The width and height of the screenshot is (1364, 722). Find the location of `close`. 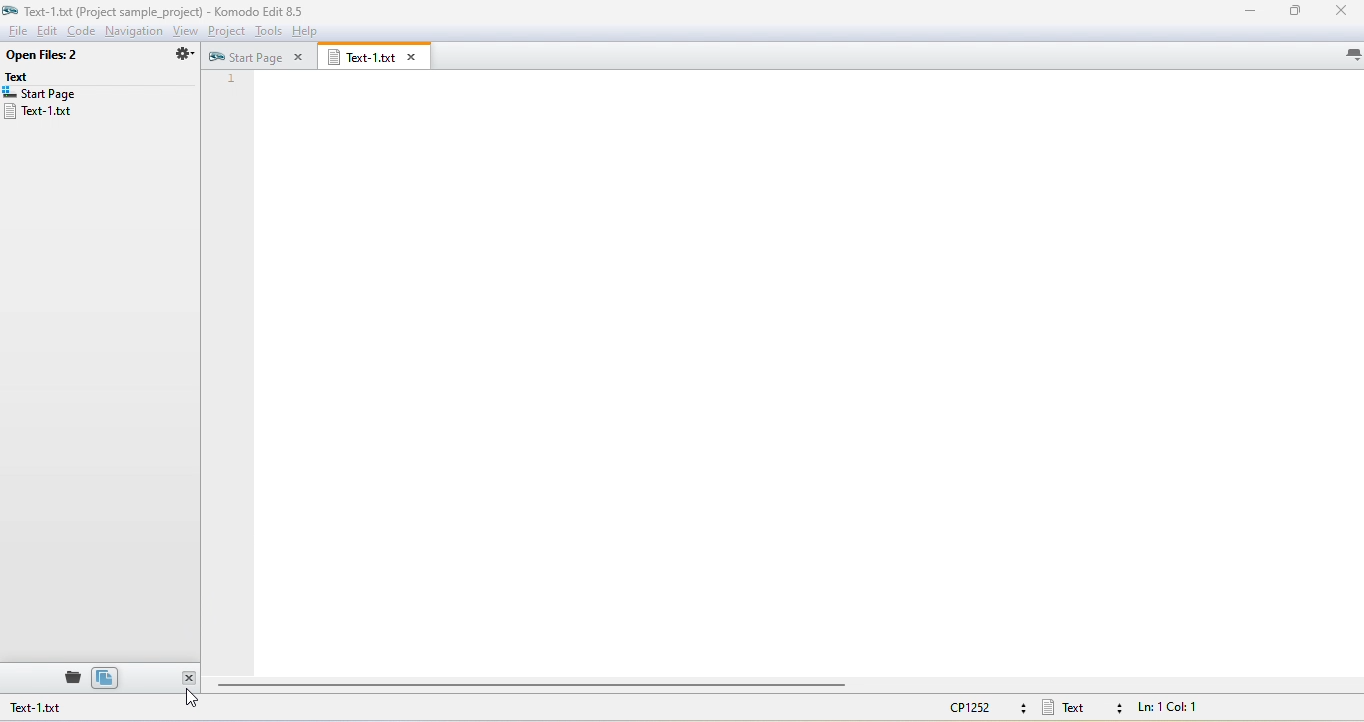

close is located at coordinates (1344, 11).